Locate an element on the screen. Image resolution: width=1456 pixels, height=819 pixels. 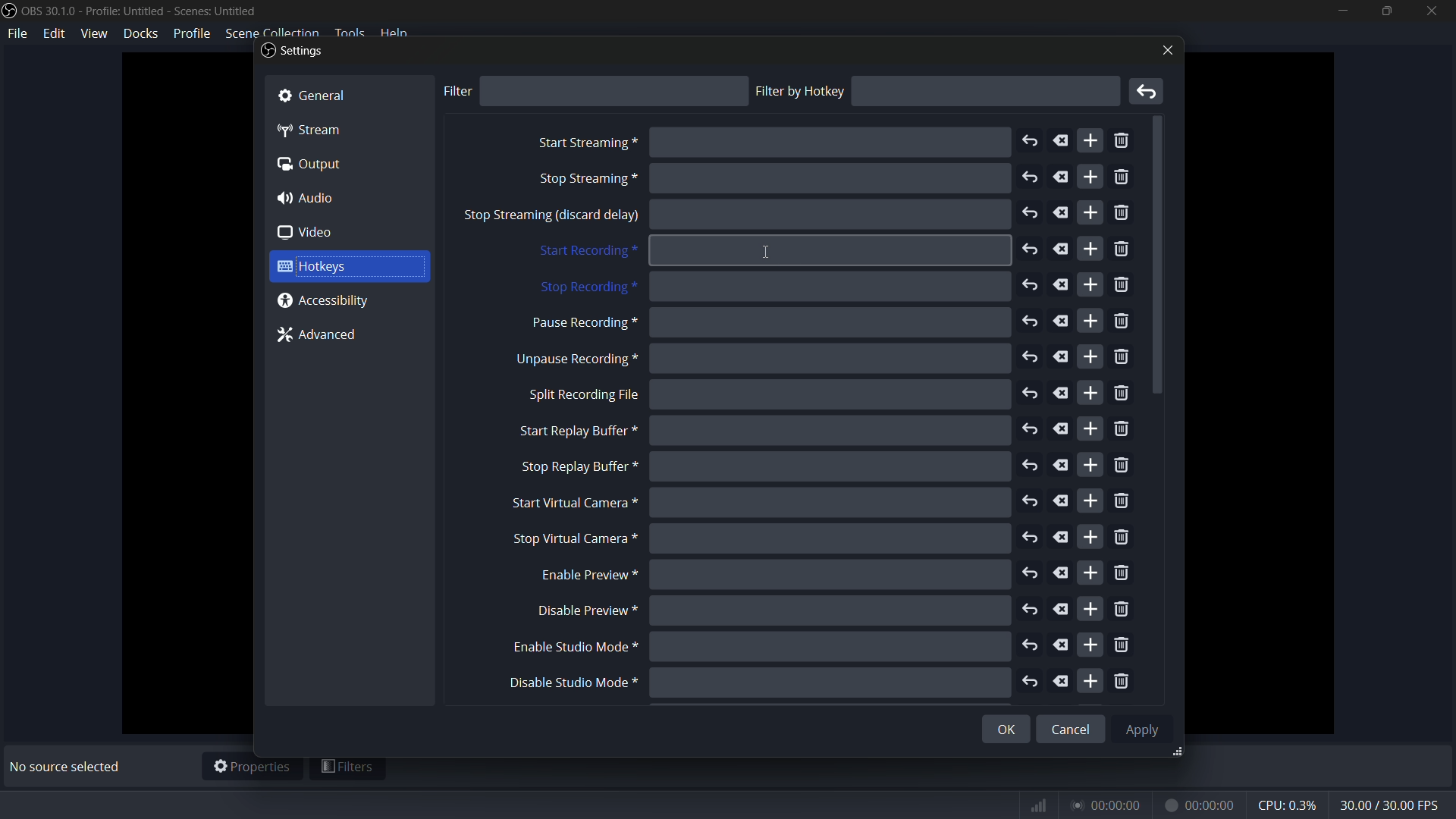
delete is located at coordinates (1059, 501).